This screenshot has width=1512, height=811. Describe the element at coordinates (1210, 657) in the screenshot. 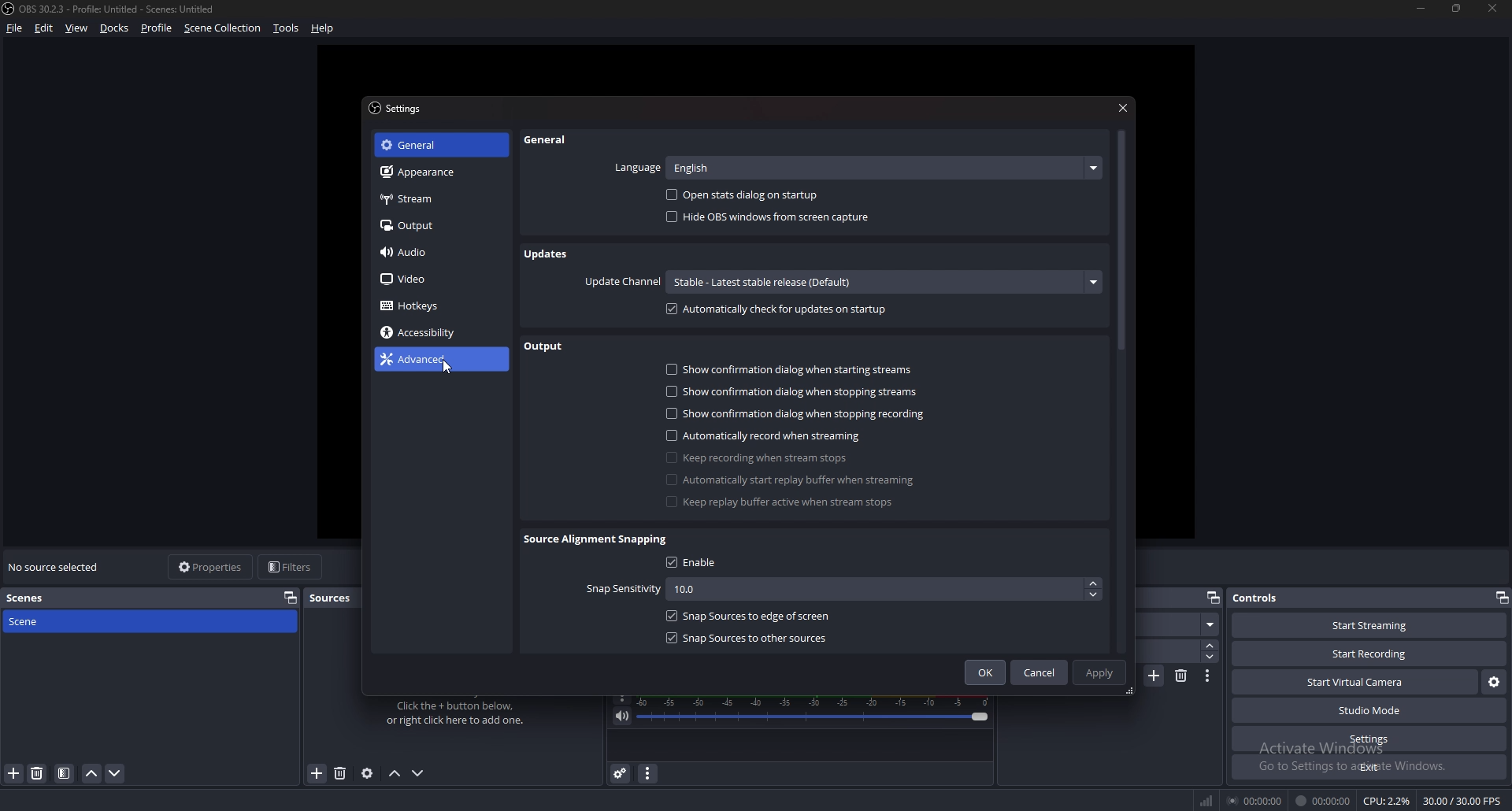

I see `decrease duration` at that location.